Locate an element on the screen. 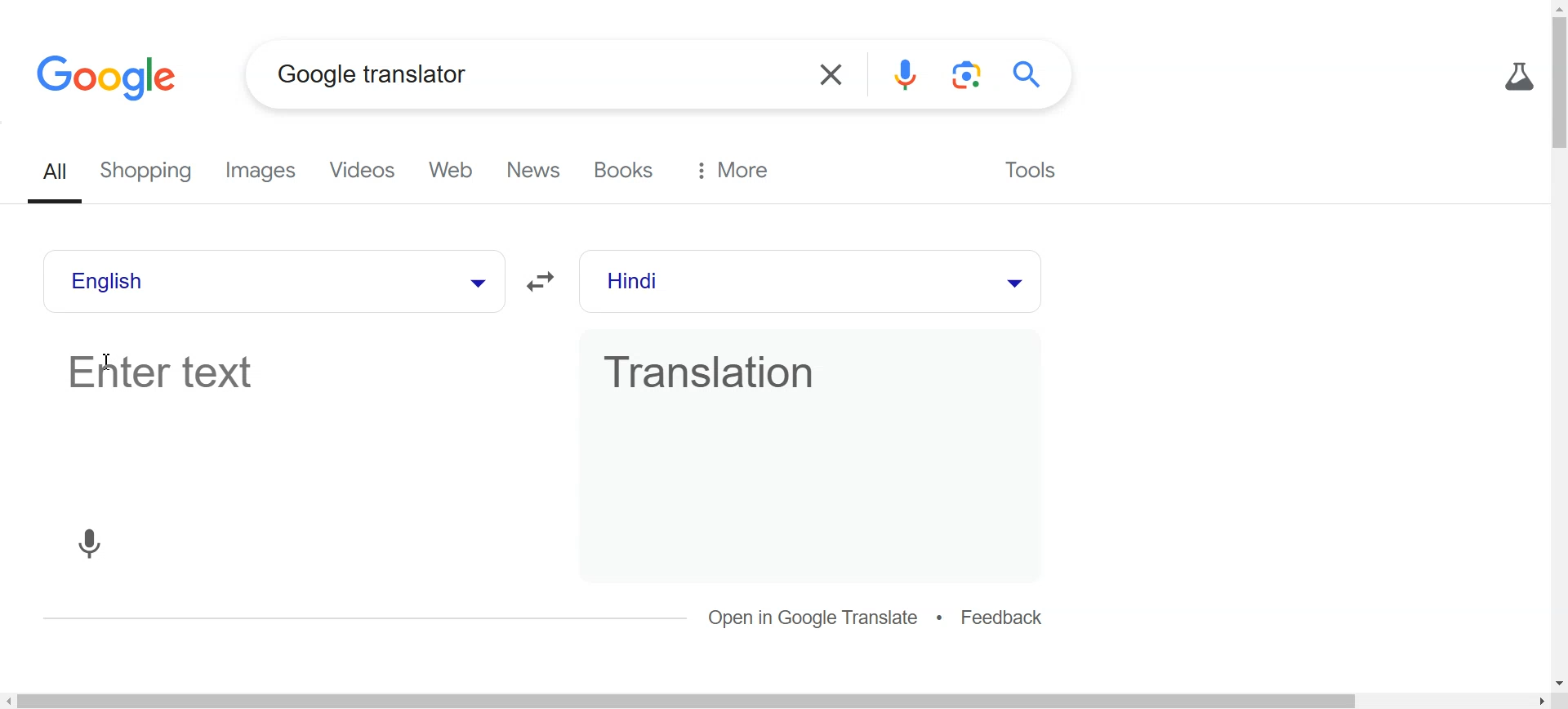  Search is located at coordinates (1032, 74).